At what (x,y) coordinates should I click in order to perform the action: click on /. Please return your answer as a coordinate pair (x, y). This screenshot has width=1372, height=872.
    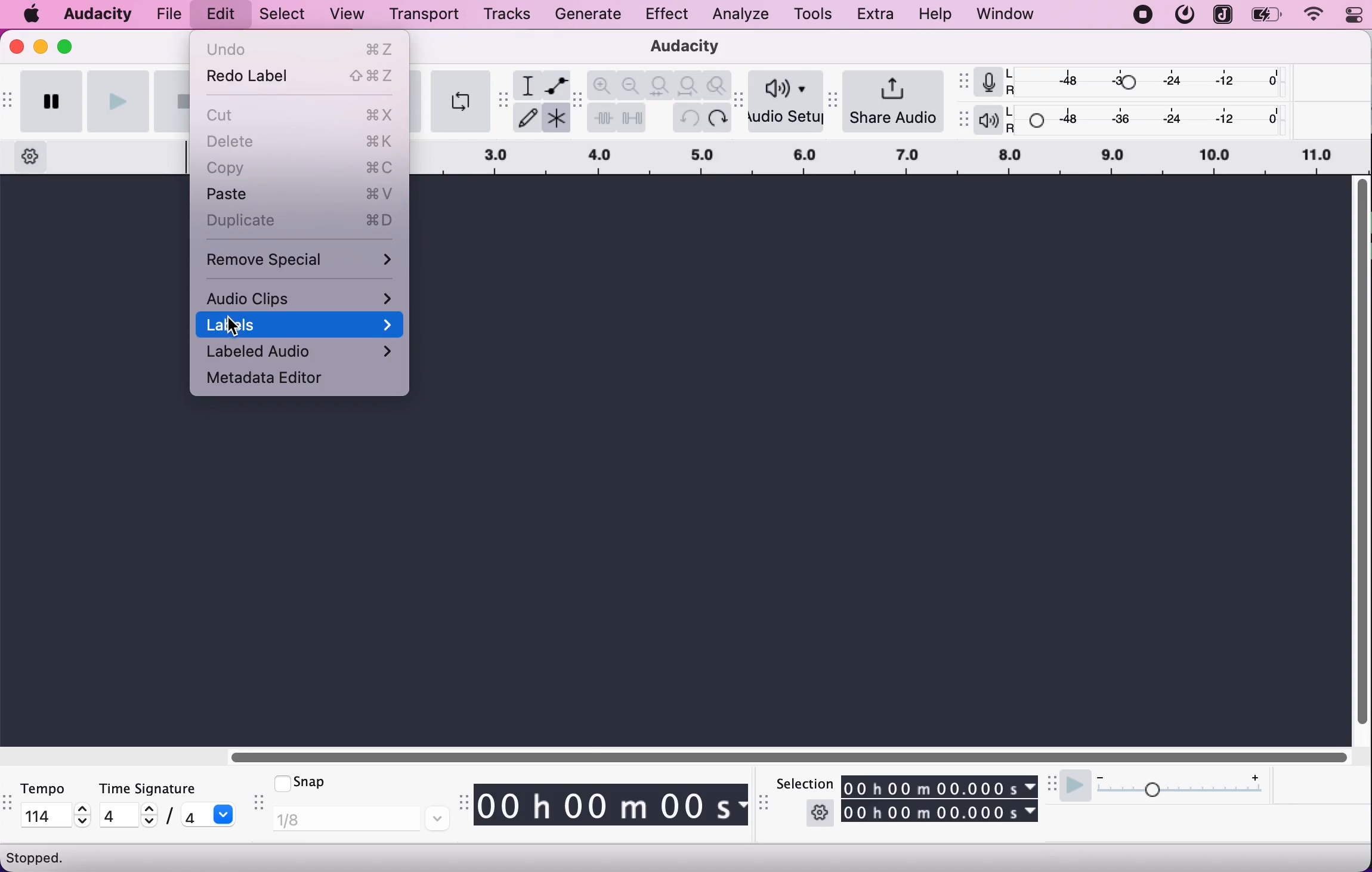
    Looking at the image, I should click on (168, 817).